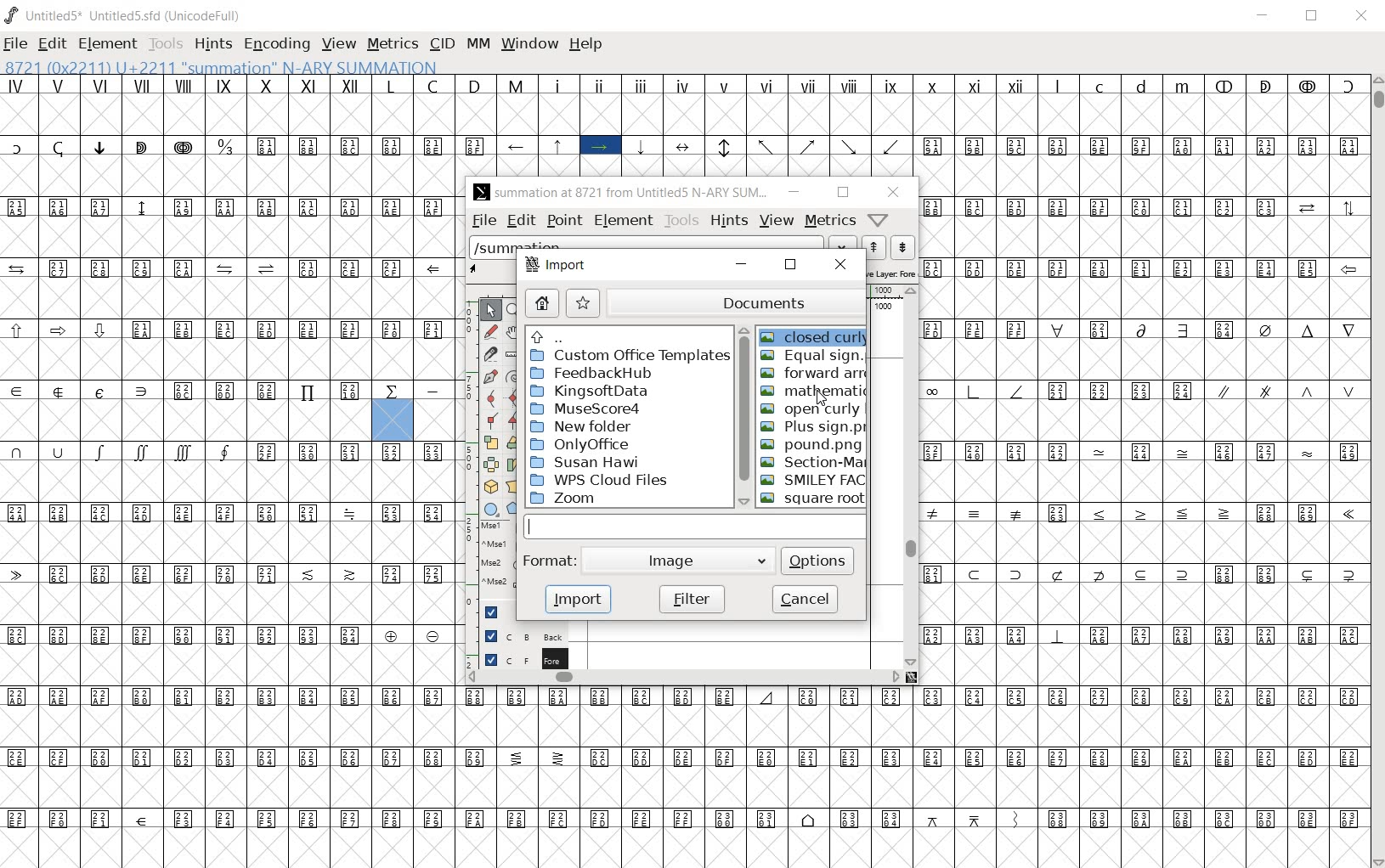 This screenshot has width=1385, height=868. Describe the element at coordinates (776, 219) in the screenshot. I see `view` at that location.